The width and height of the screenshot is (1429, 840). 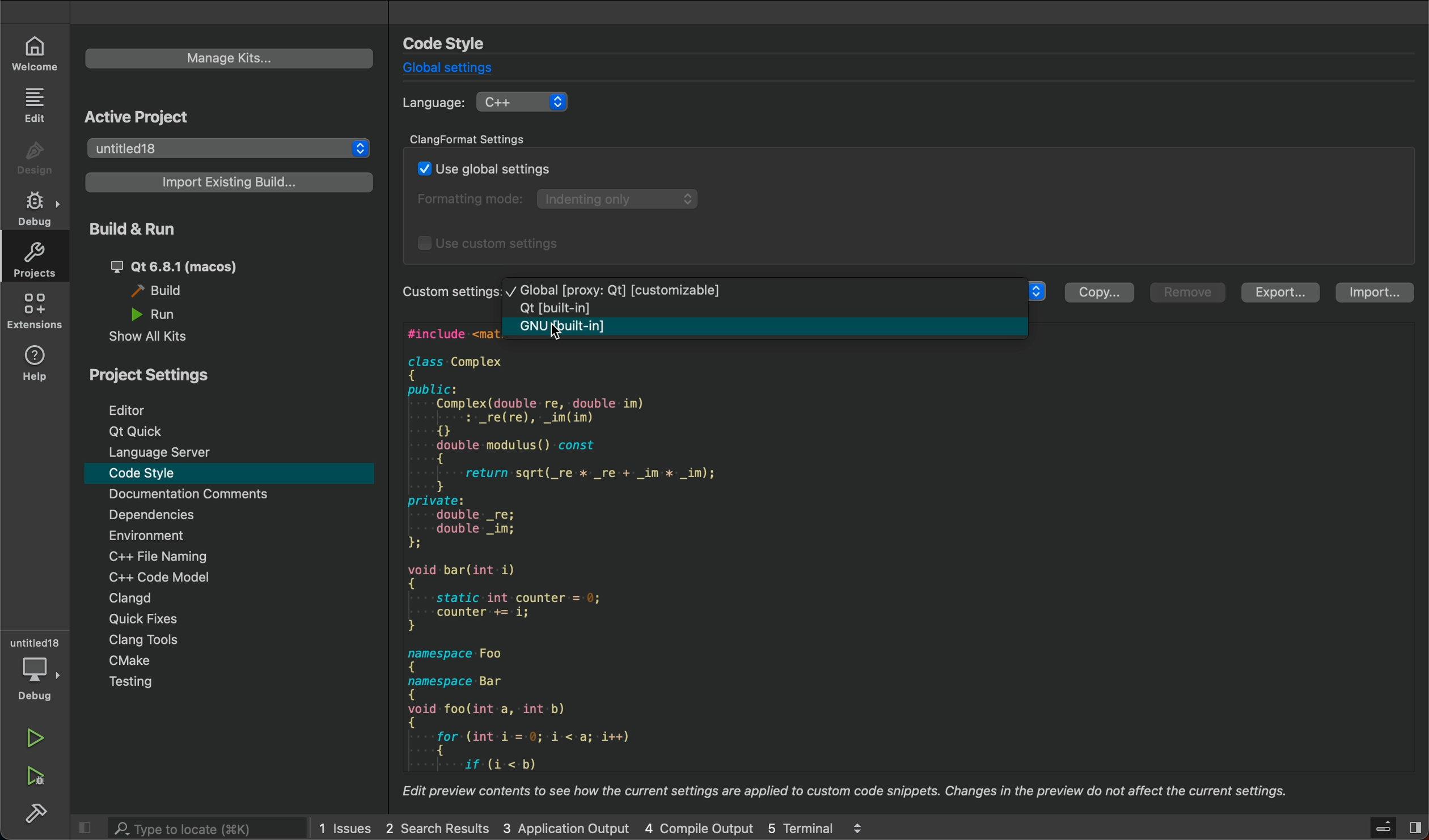 I want to click on logs, so click(x=865, y=827).